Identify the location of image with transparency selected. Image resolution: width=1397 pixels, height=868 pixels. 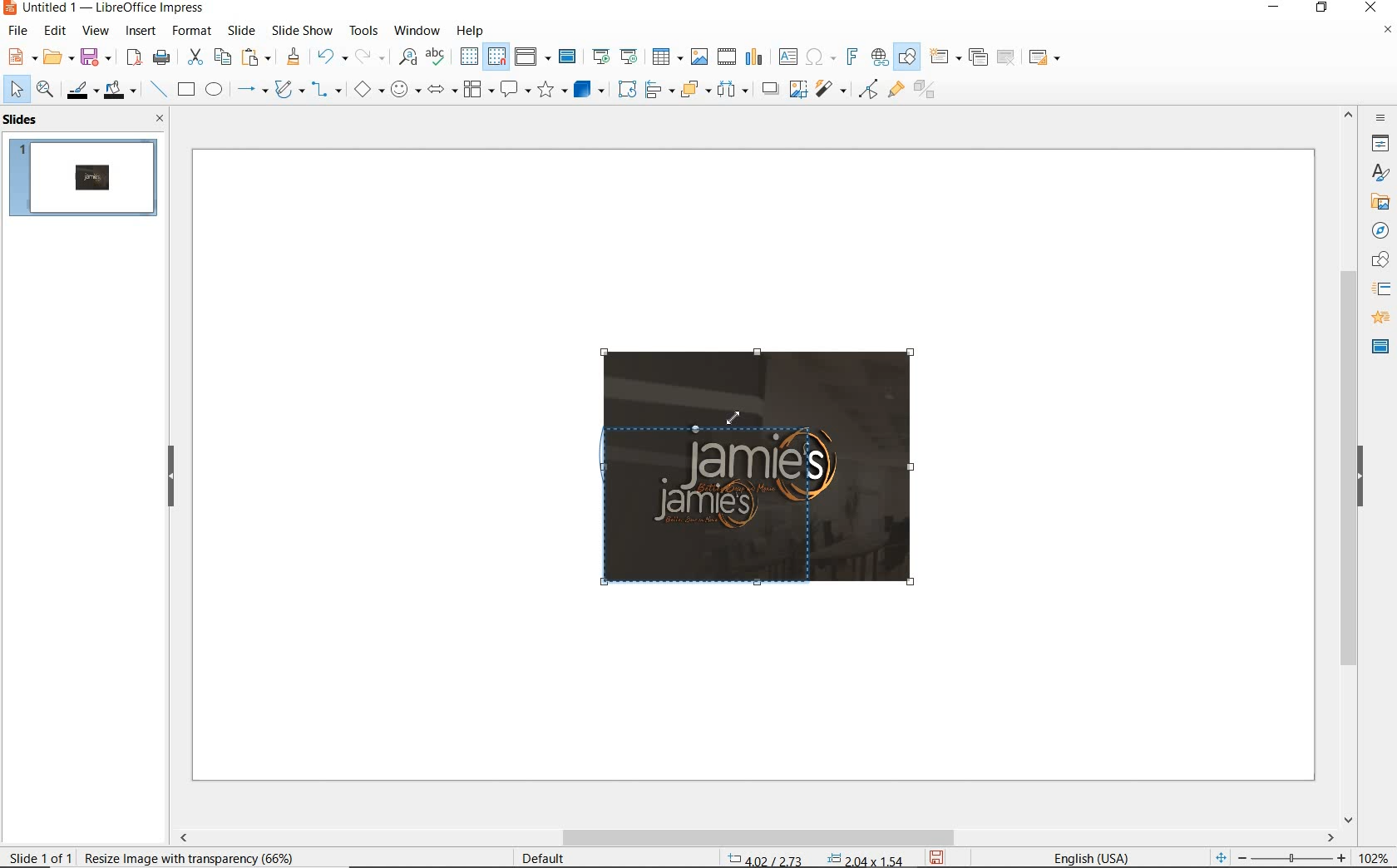
(183, 856).